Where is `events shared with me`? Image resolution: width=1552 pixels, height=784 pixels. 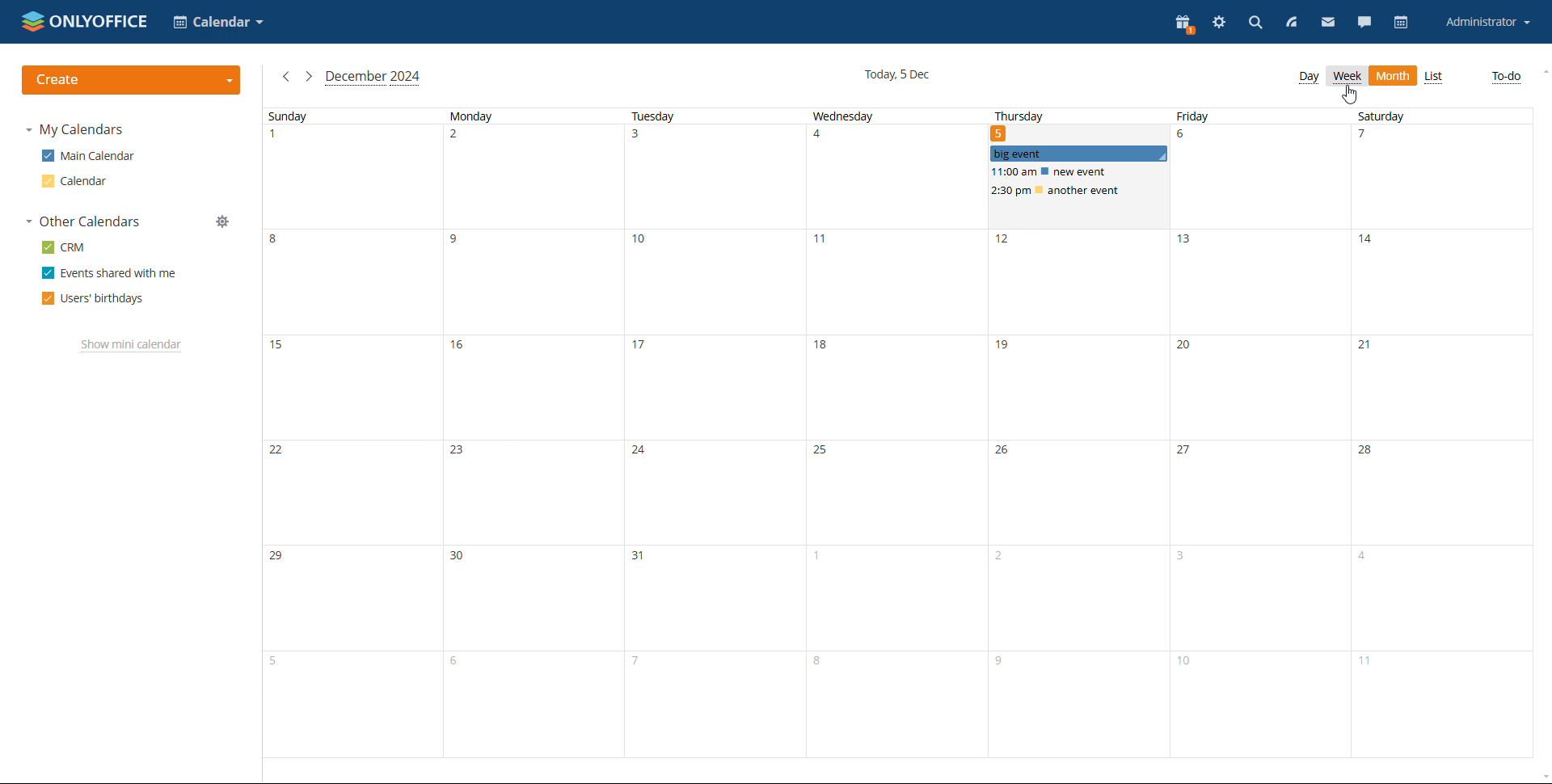
events shared with me is located at coordinates (110, 273).